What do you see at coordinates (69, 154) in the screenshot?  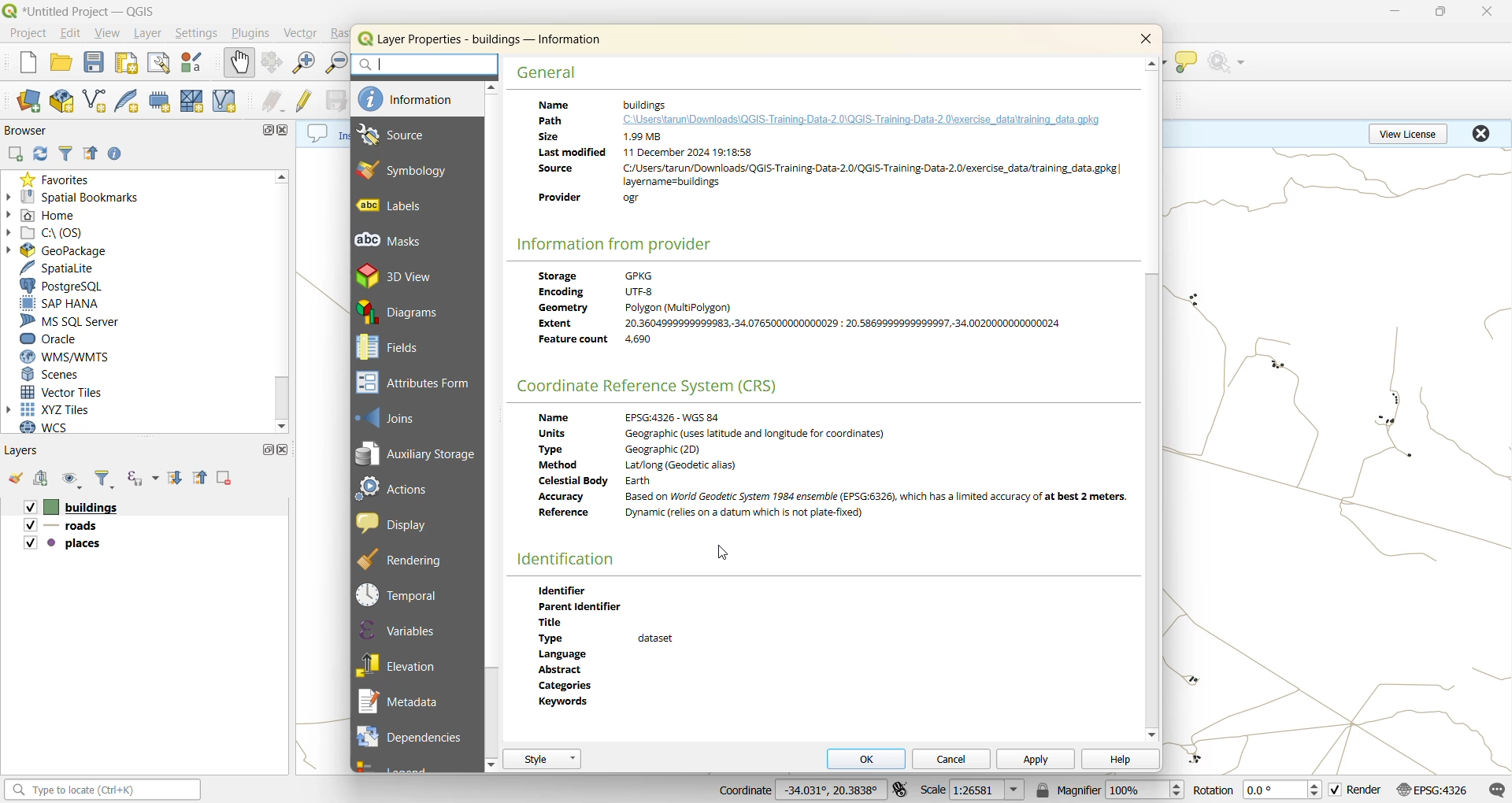 I see `filter` at bounding box center [69, 154].